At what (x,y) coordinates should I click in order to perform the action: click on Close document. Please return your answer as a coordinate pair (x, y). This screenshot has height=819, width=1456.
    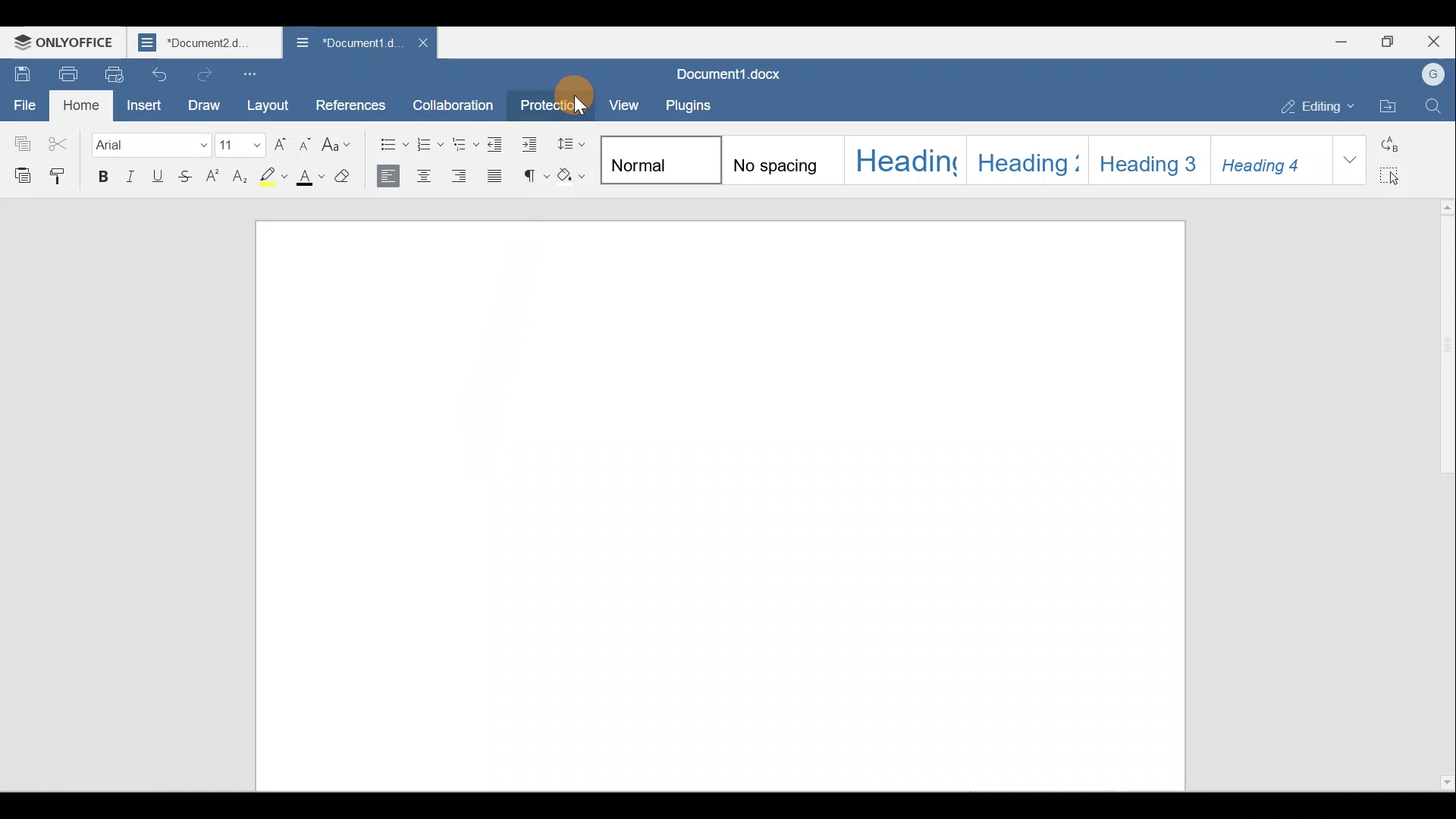
    Looking at the image, I should click on (425, 42).